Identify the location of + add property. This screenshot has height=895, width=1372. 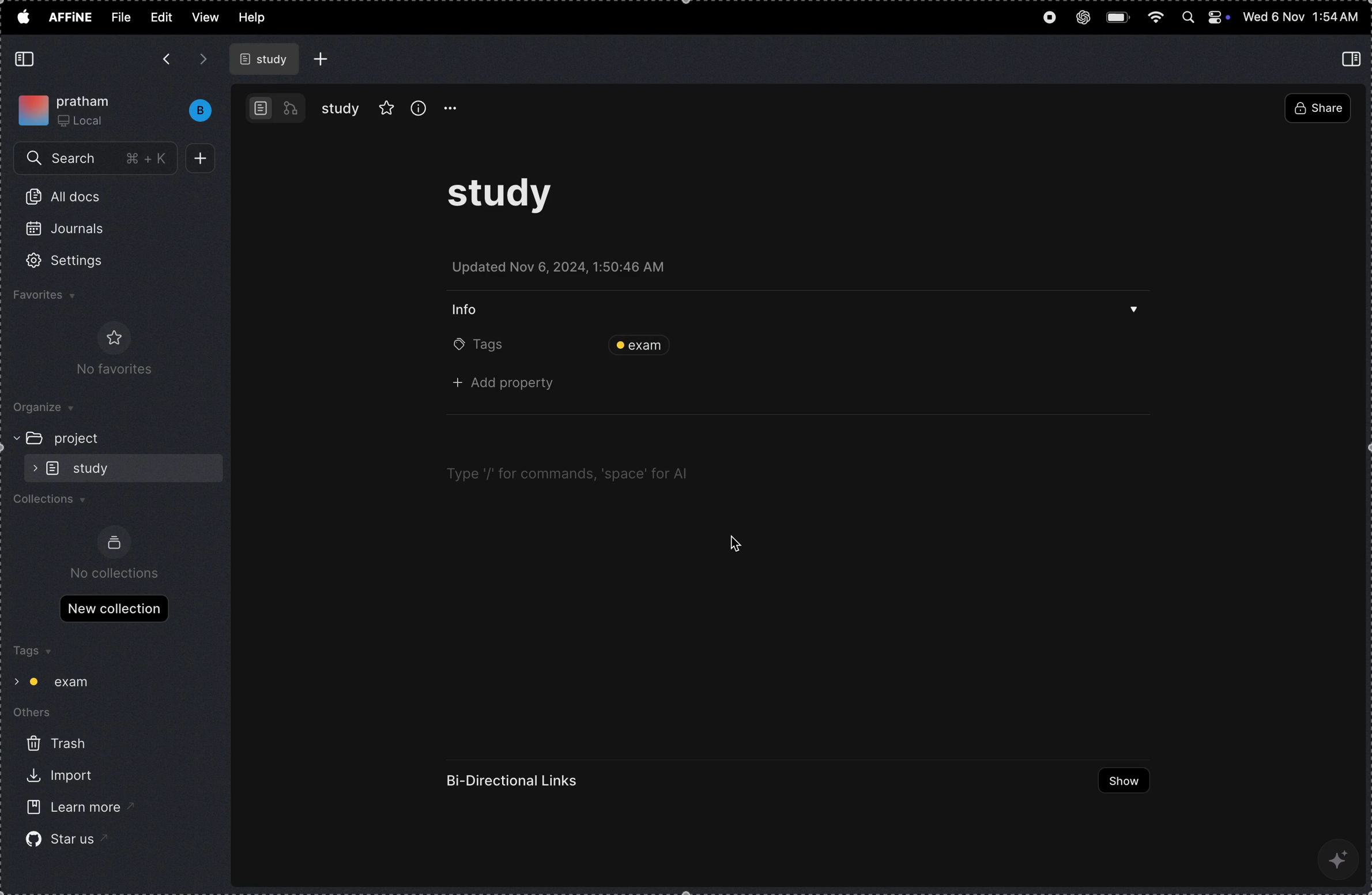
(510, 385).